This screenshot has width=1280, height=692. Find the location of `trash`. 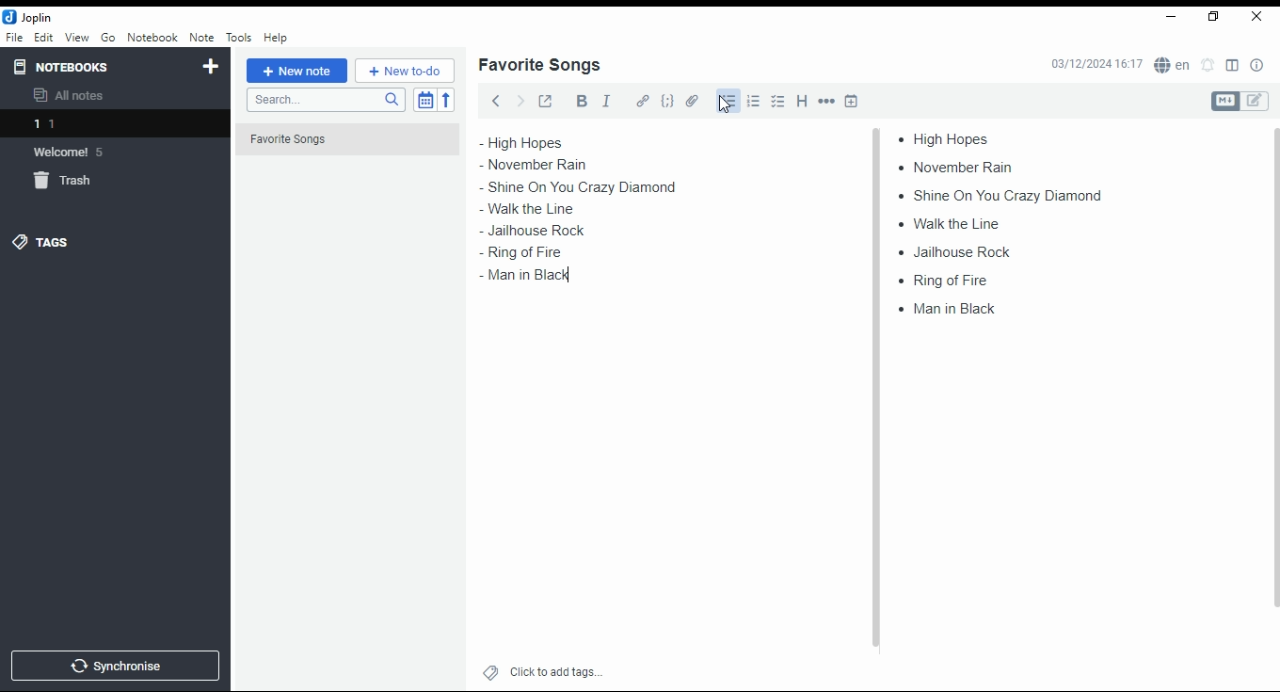

trash is located at coordinates (74, 184).